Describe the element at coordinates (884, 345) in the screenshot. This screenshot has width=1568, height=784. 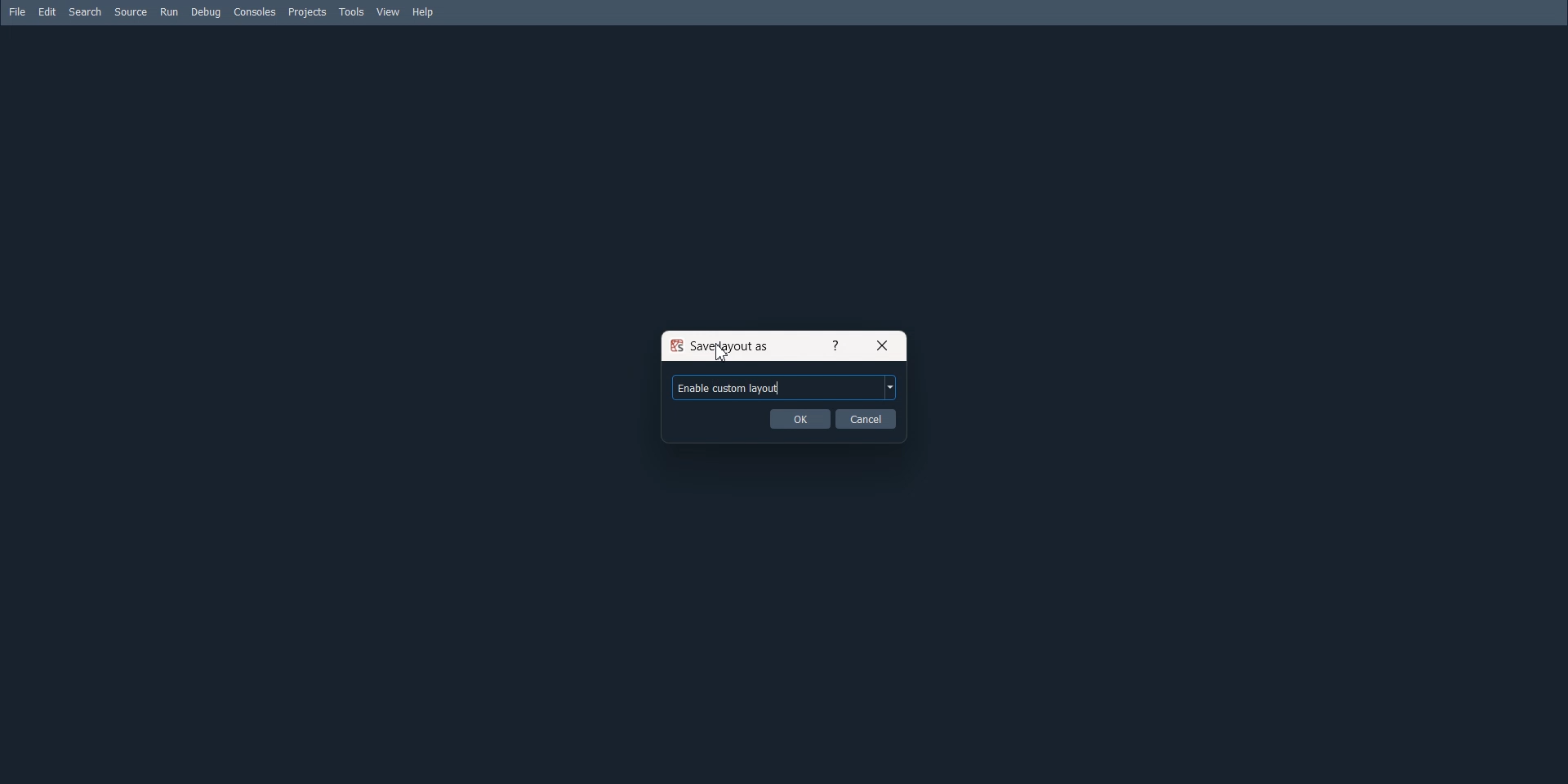
I see `Close` at that location.